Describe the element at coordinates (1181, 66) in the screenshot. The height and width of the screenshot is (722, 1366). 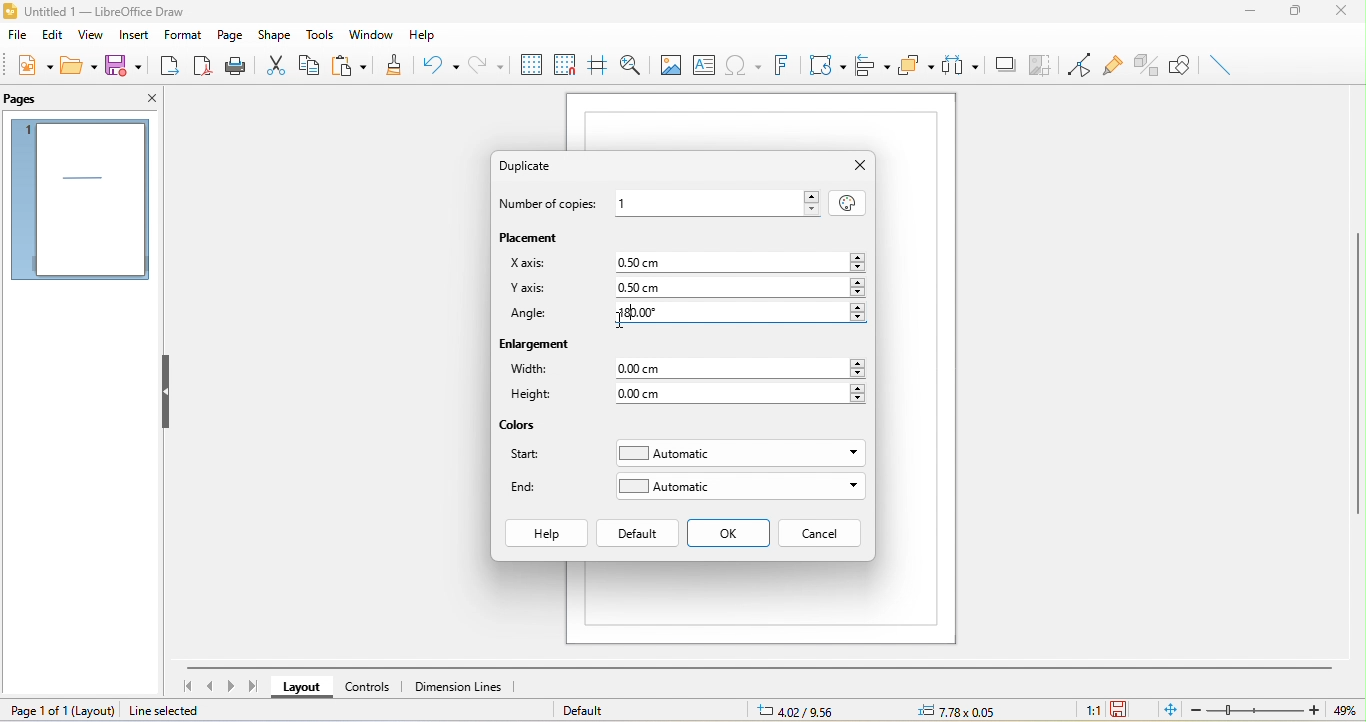
I see `show draw function` at that location.